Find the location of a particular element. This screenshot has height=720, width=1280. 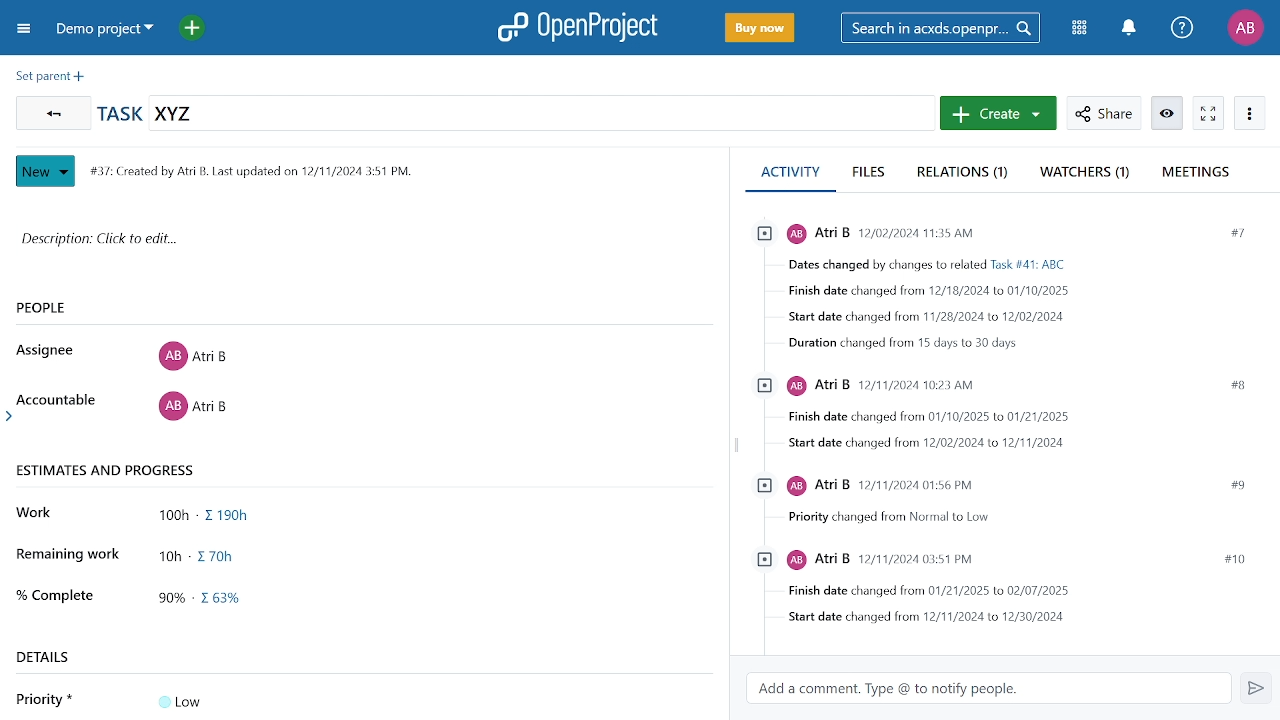

Share is located at coordinates (1105, 114).